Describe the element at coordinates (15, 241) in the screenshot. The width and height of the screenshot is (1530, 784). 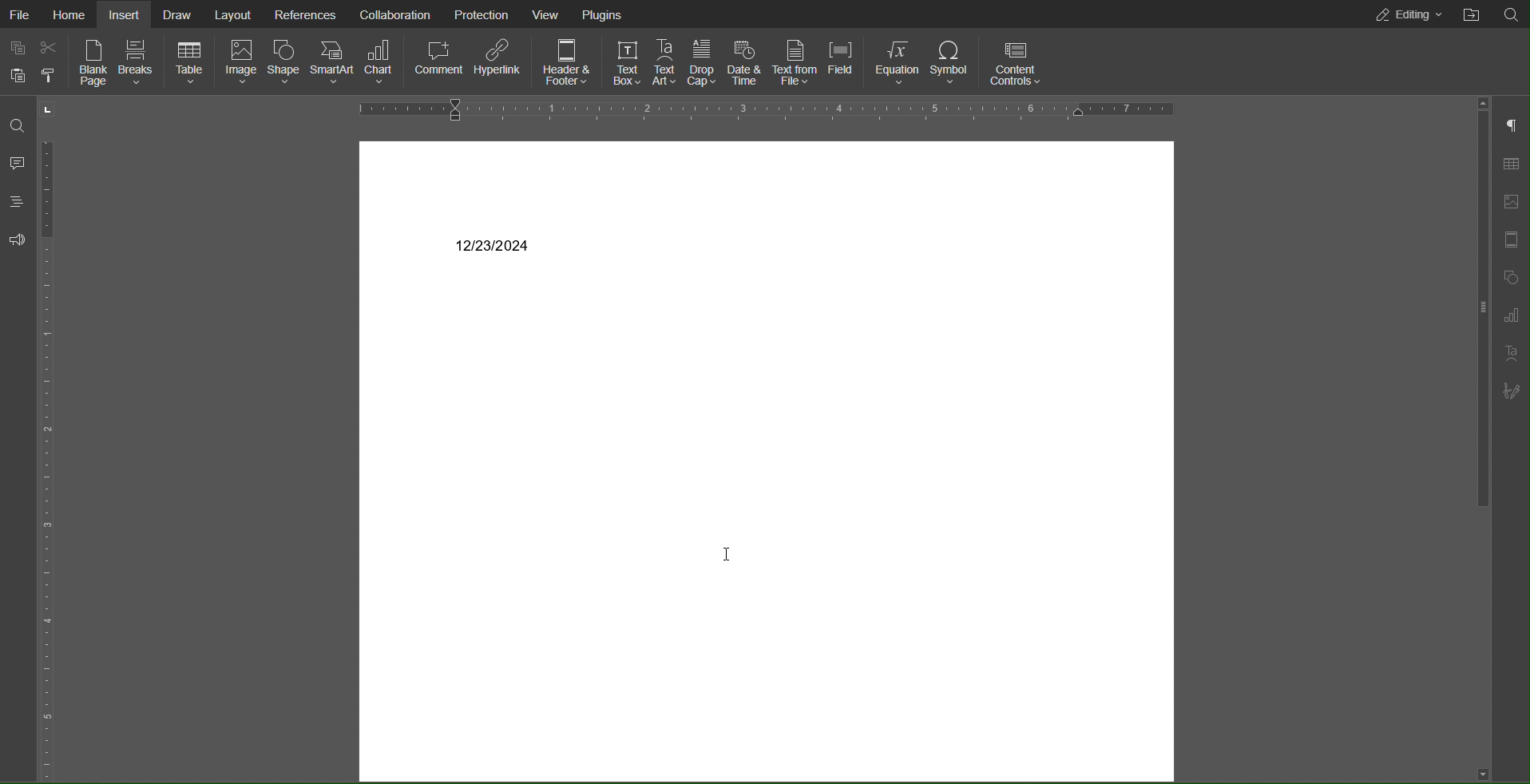
I see `Feedback and Support` at that location.